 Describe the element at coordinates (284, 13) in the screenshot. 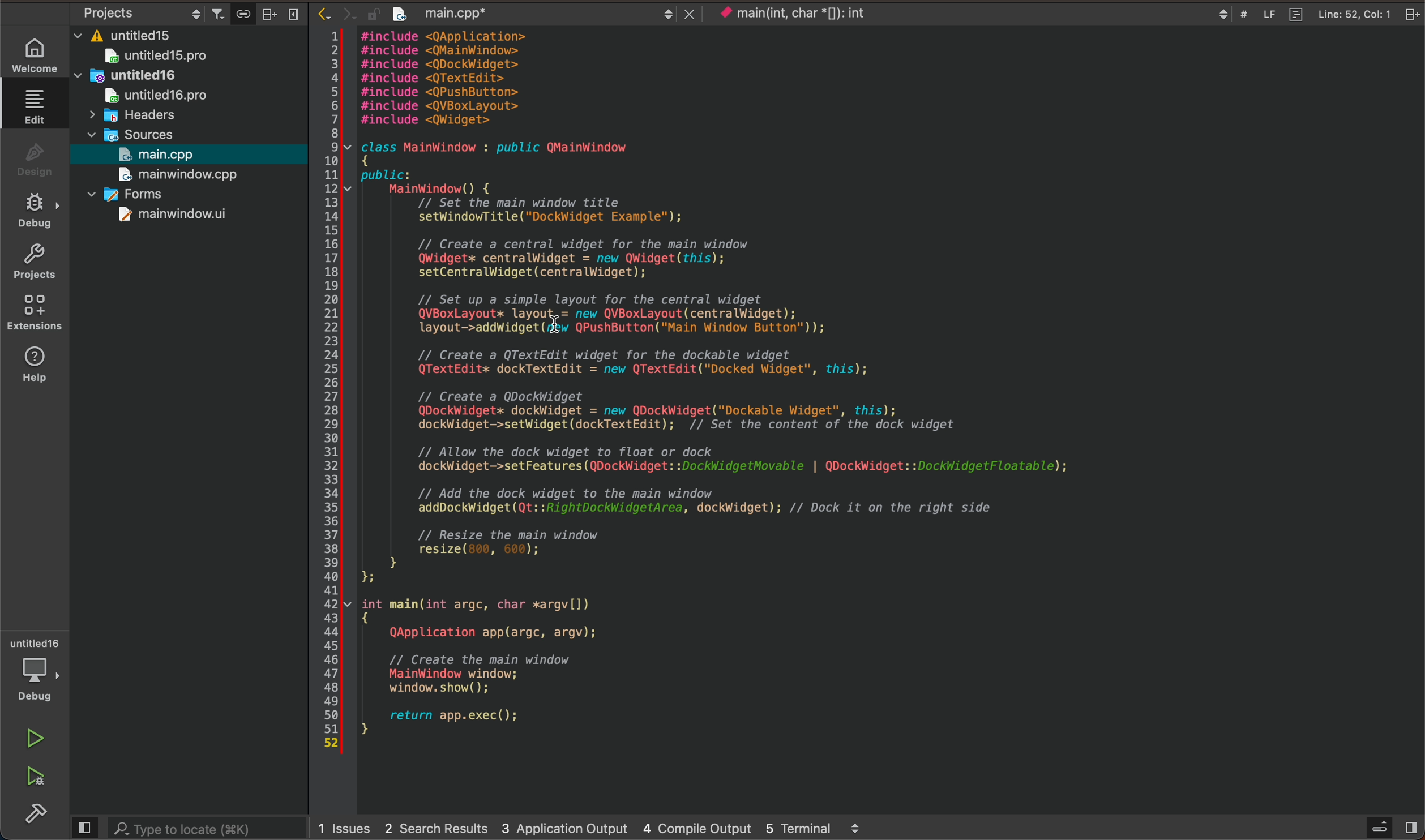

I see `close bar` at that location.